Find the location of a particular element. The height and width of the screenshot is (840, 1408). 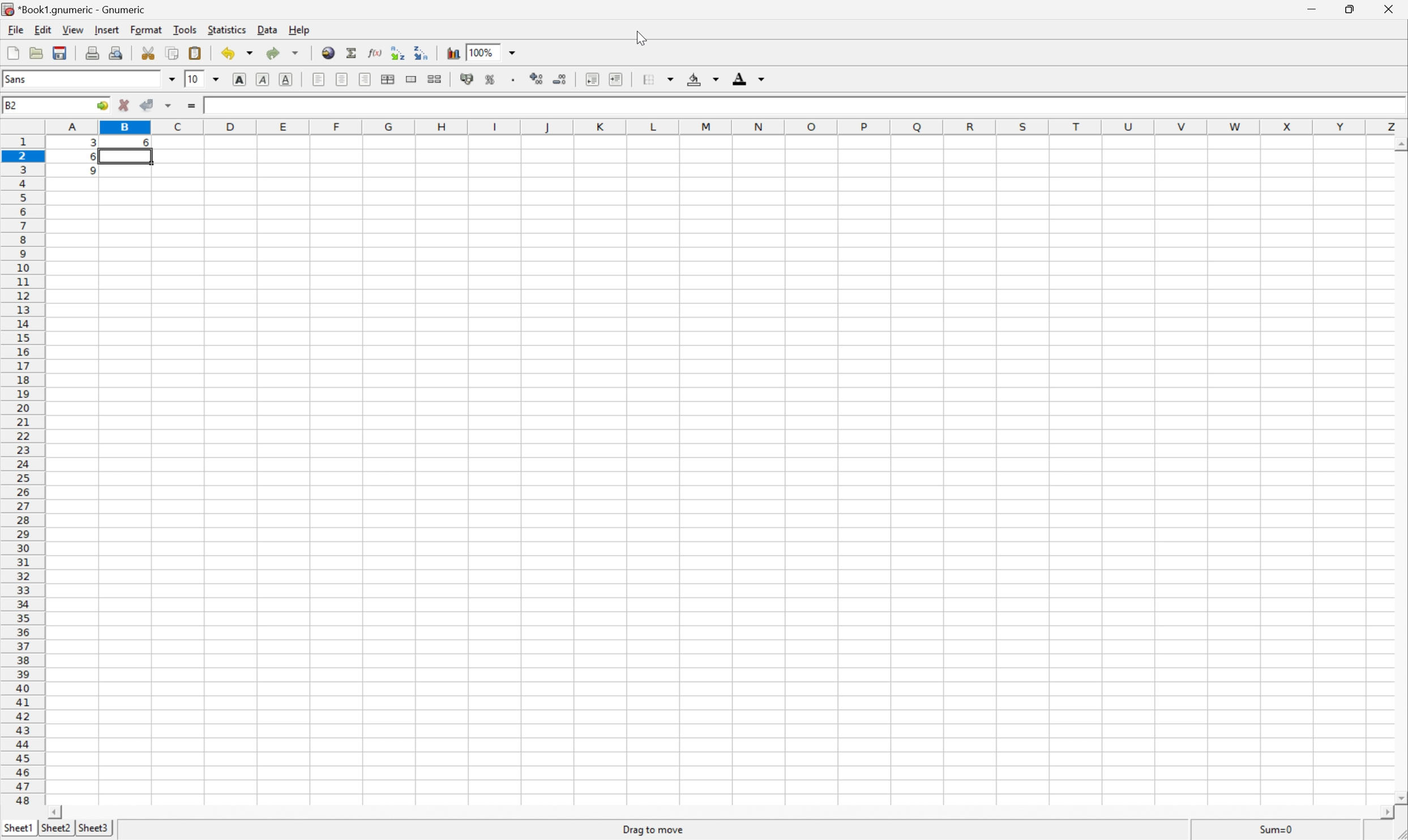

Create a new workbook is located at coordinates (12, 53).